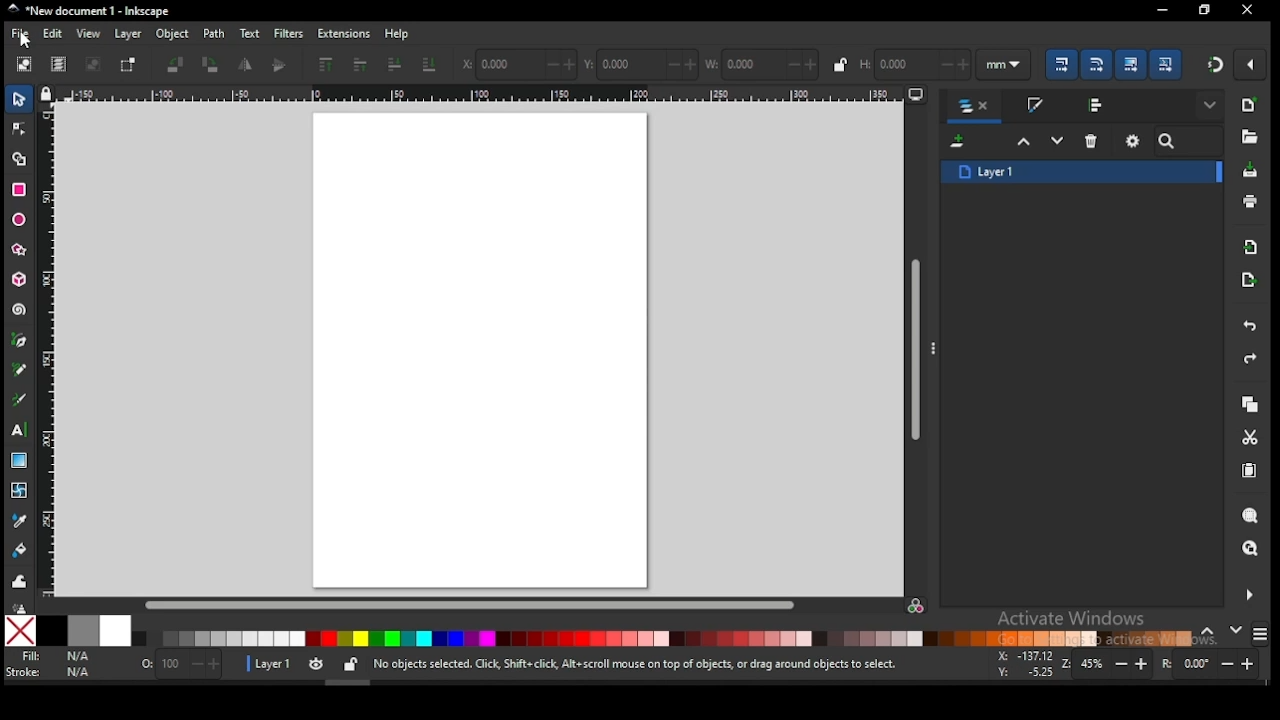 This screenshot has width=1280, height=720. I want to click on none, so click(20, 631).